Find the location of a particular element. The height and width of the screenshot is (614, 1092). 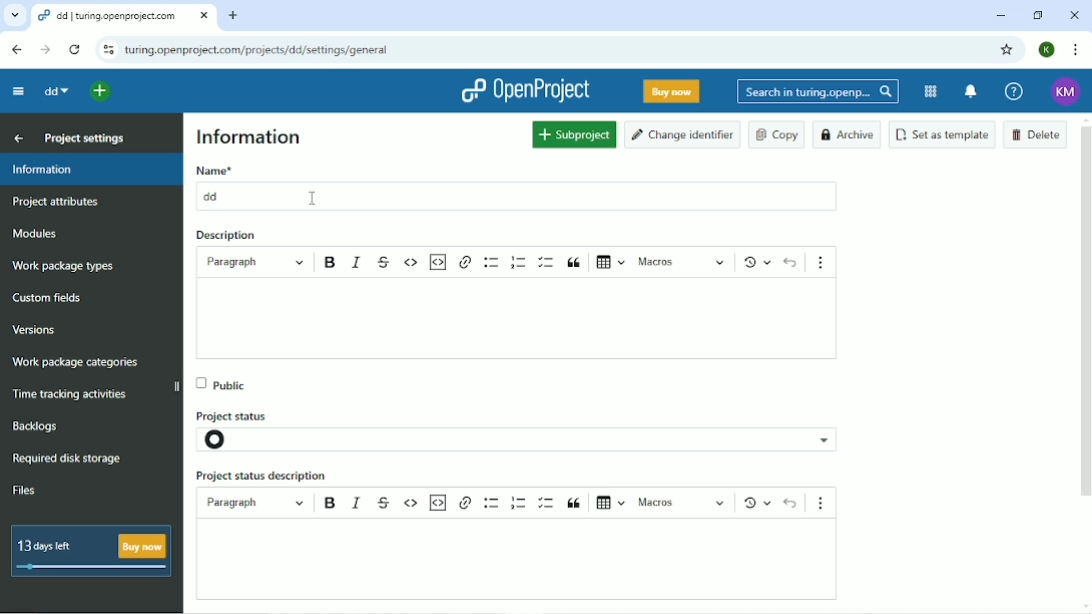

text box is located at coordinates (531, 320).